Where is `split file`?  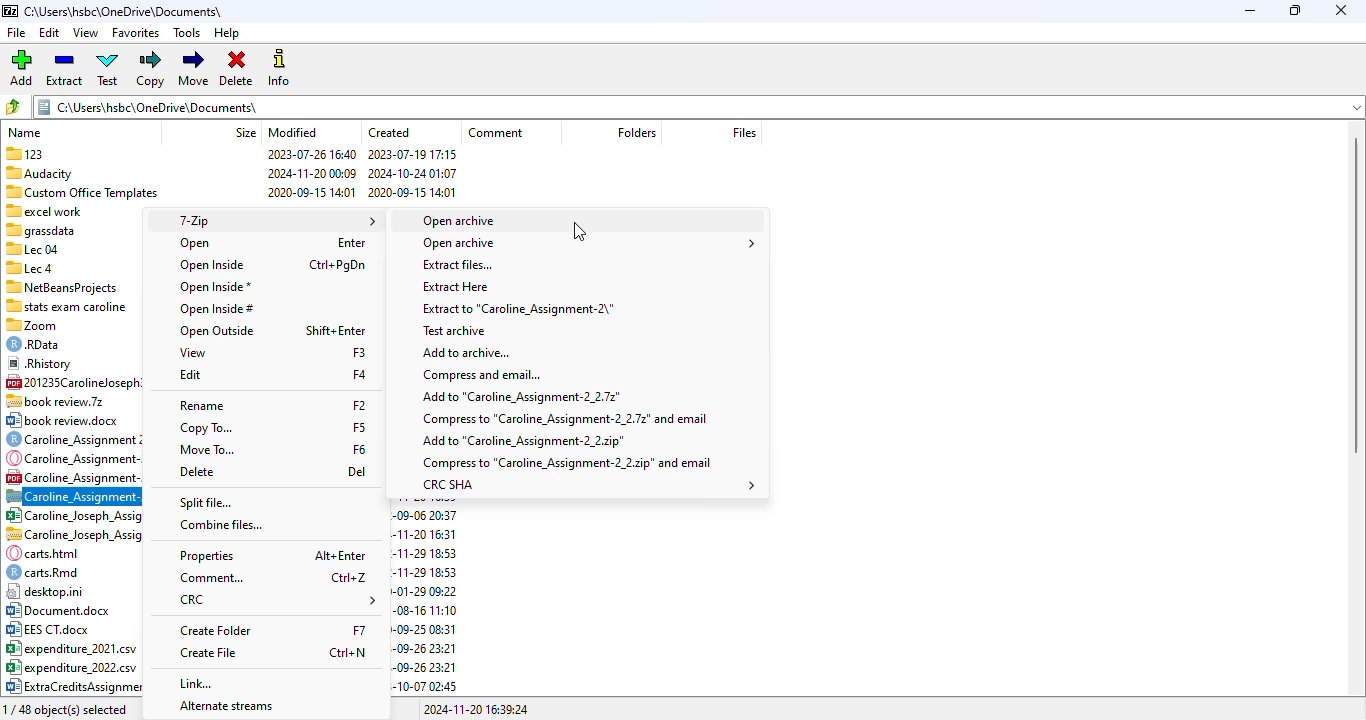 split file is located at coordinates (205, 503).